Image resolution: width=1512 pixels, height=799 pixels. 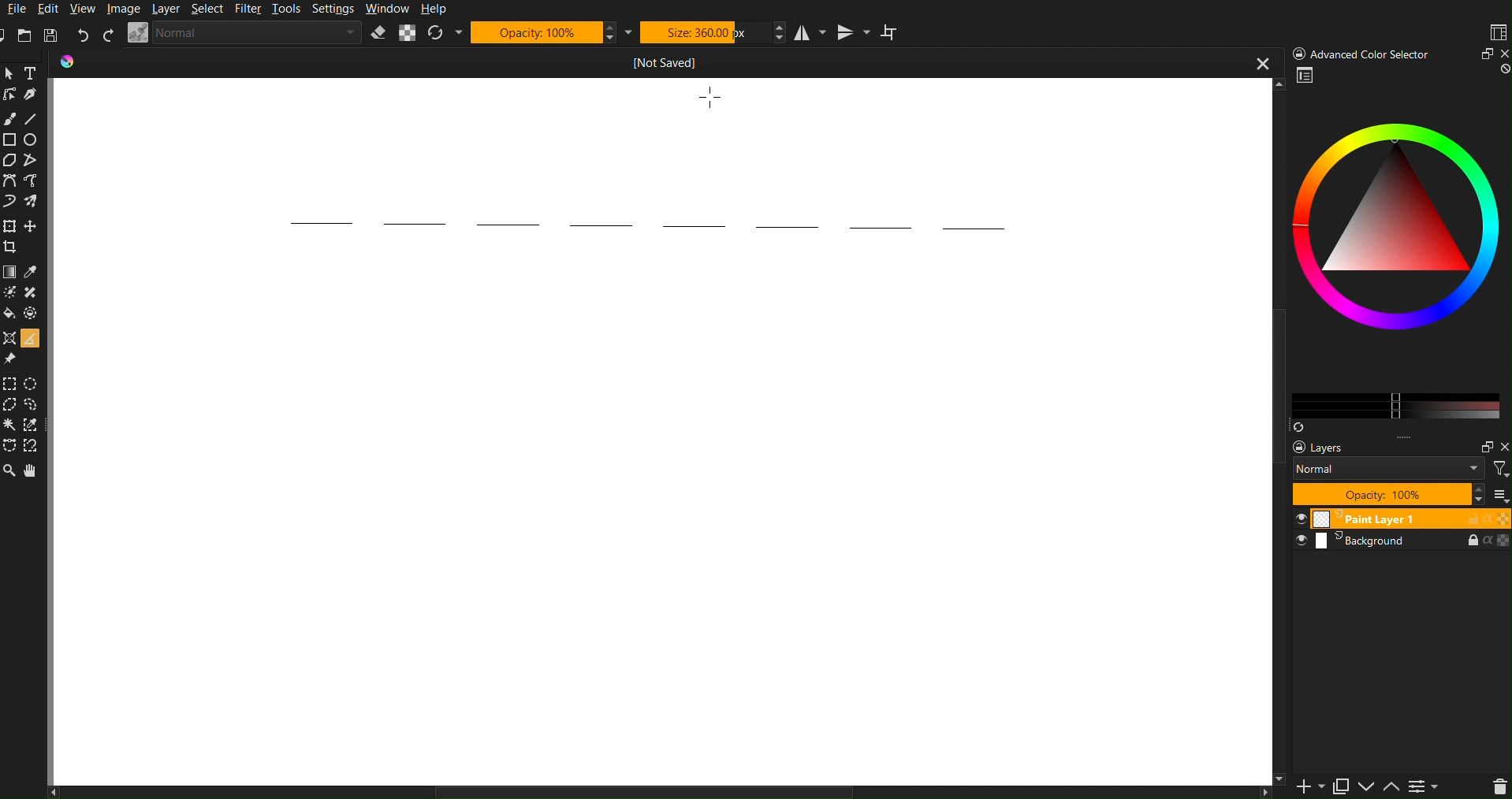 What do you see at coordinates (9, 271) in the screenshot?
I see `Color Tools` at bounding box center [9, 271].